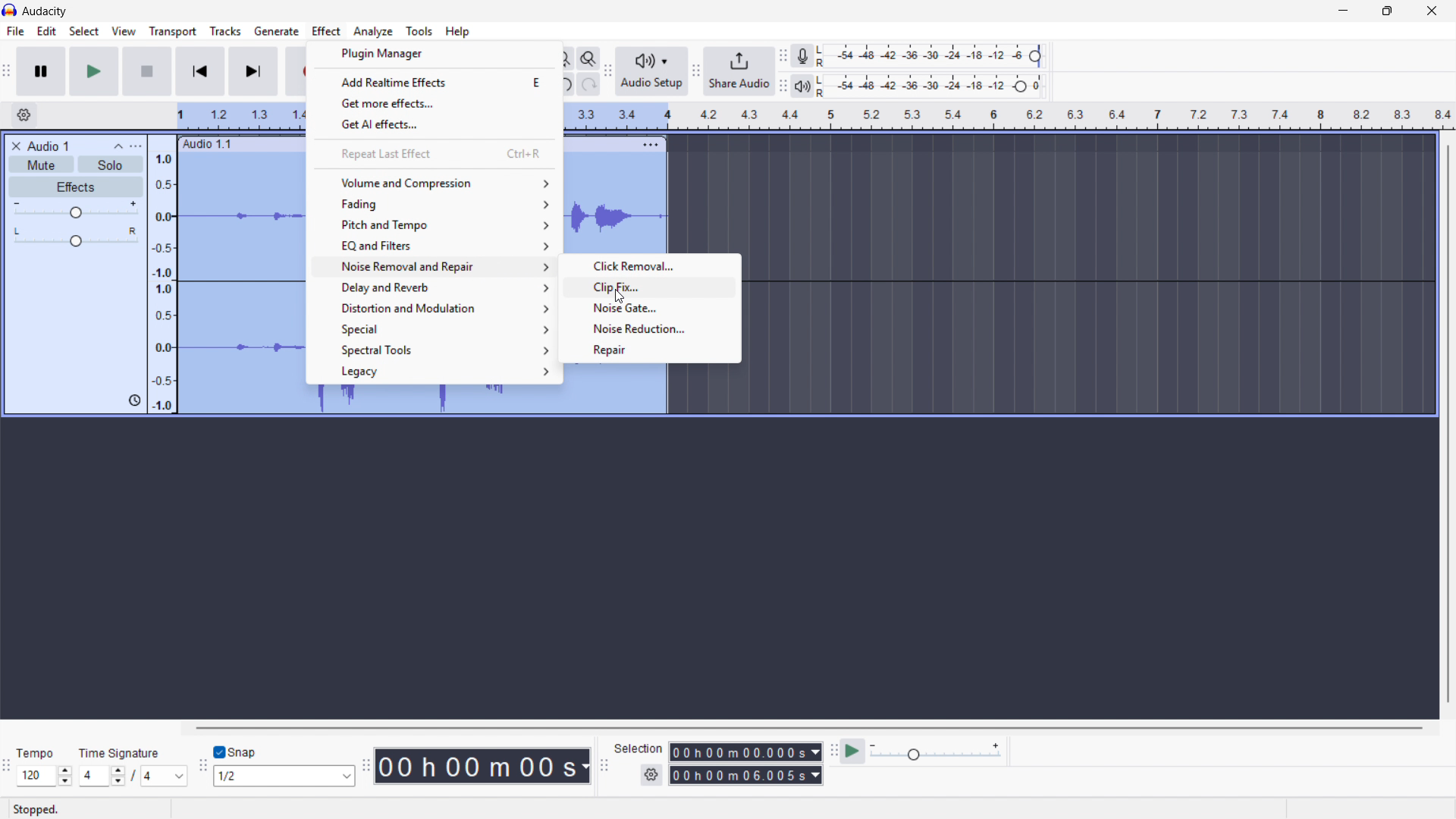 The image size is (1456, 819). Describe the element at coordinates (47, 31) in the screenshot. I see `Edit ` at that location.